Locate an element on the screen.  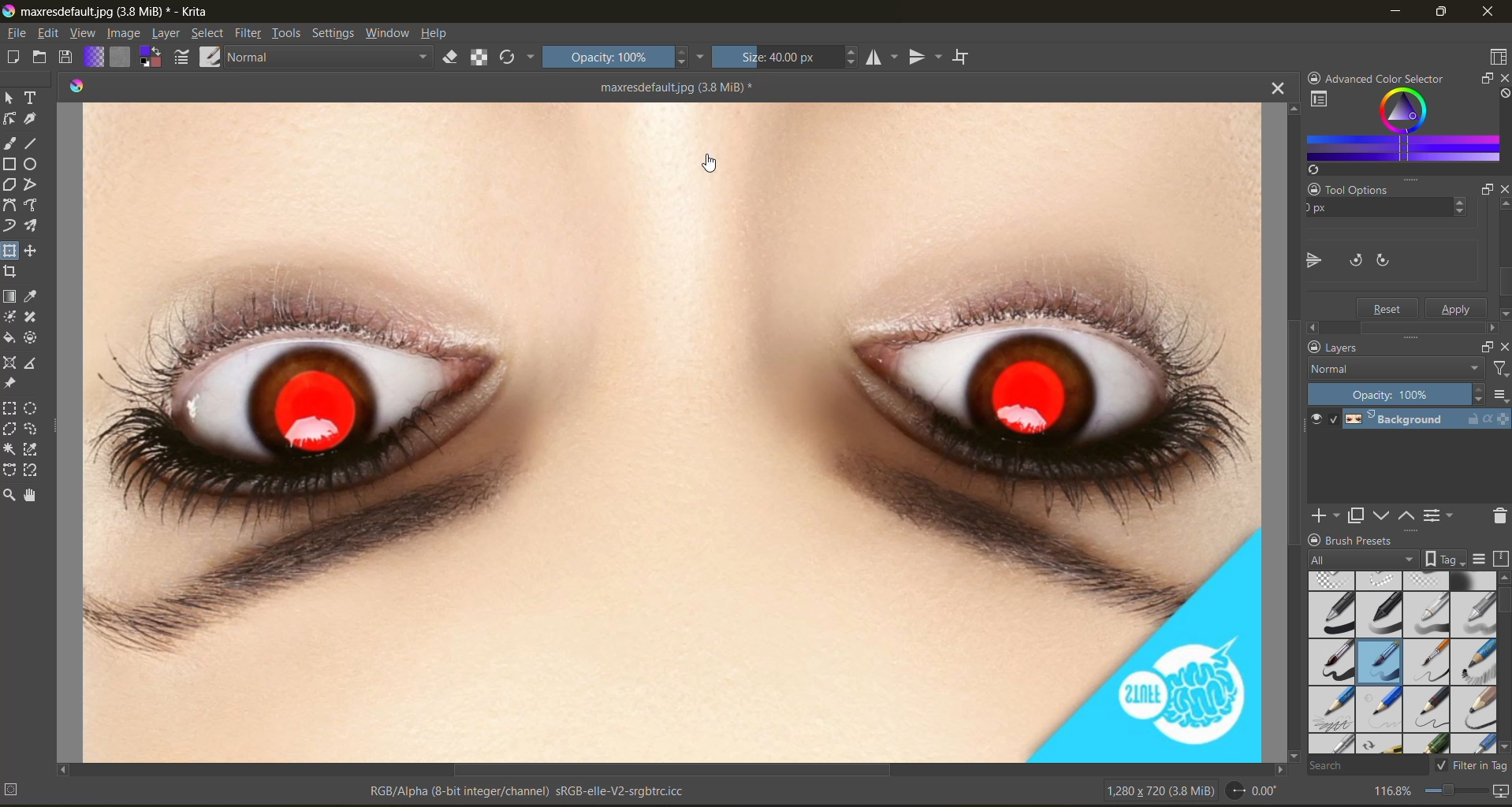
set eraser mode is located at coordinates (455, 57).